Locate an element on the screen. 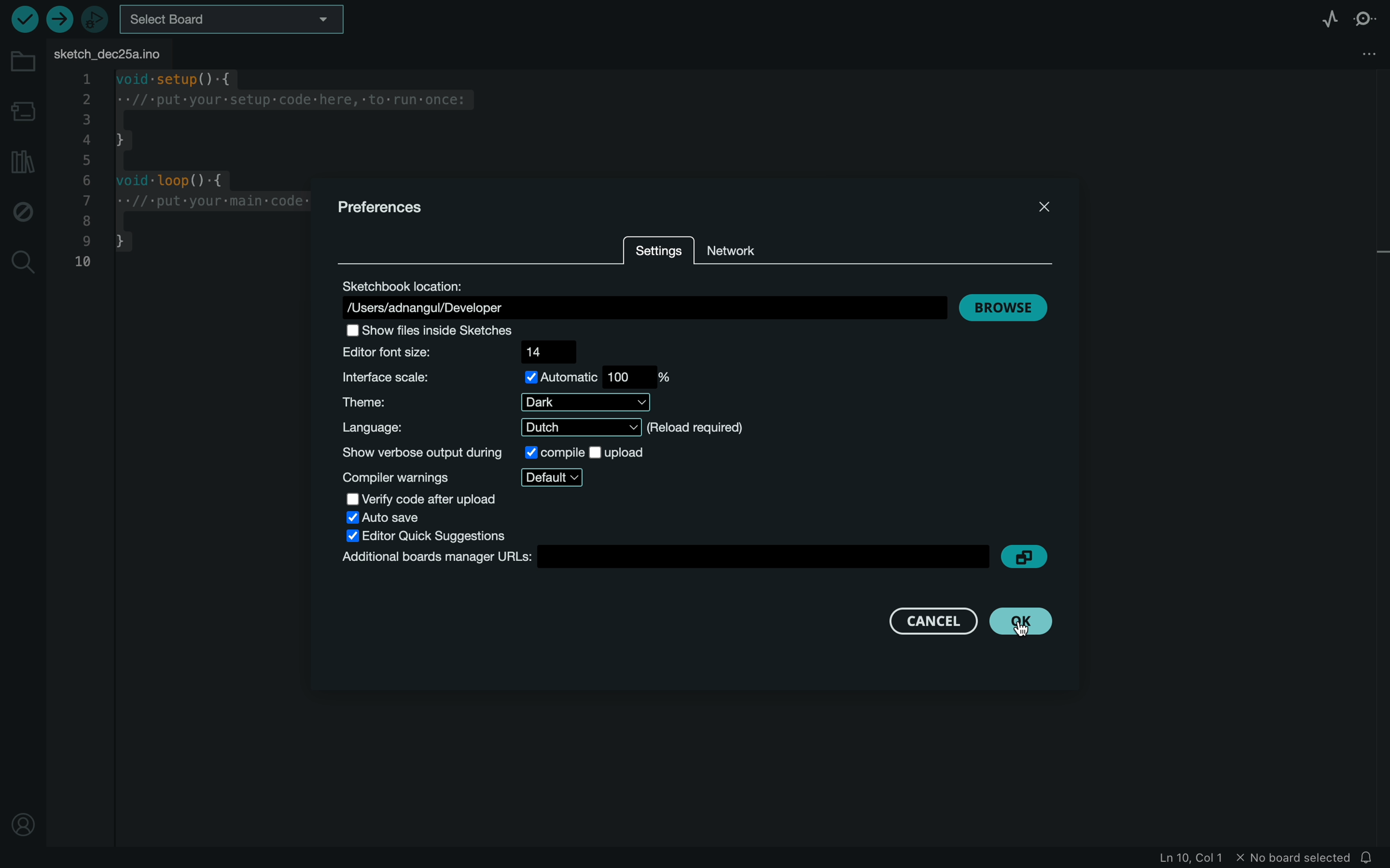  search is located at coordinates (24, 264).